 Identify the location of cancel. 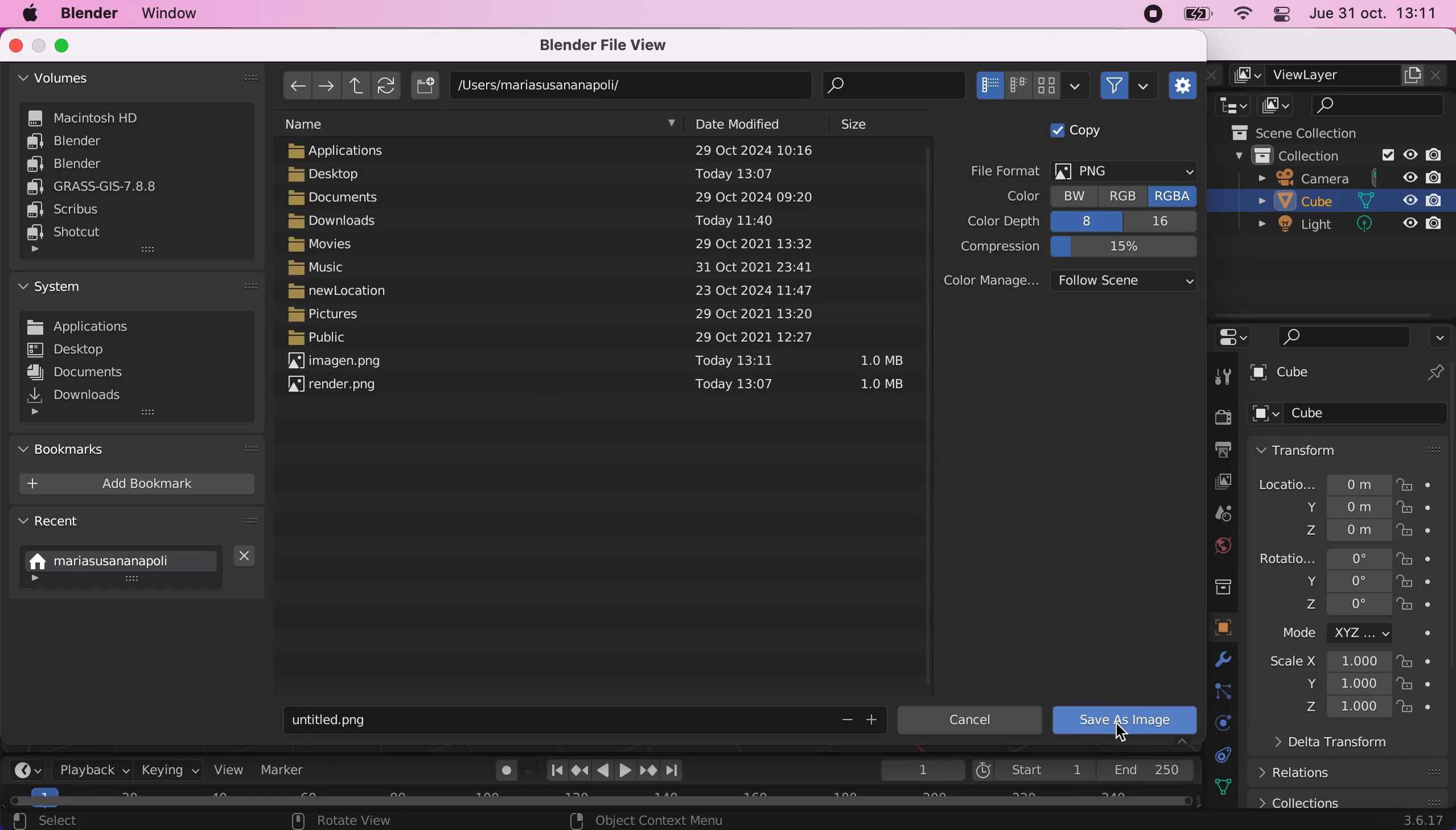
(970, 721).